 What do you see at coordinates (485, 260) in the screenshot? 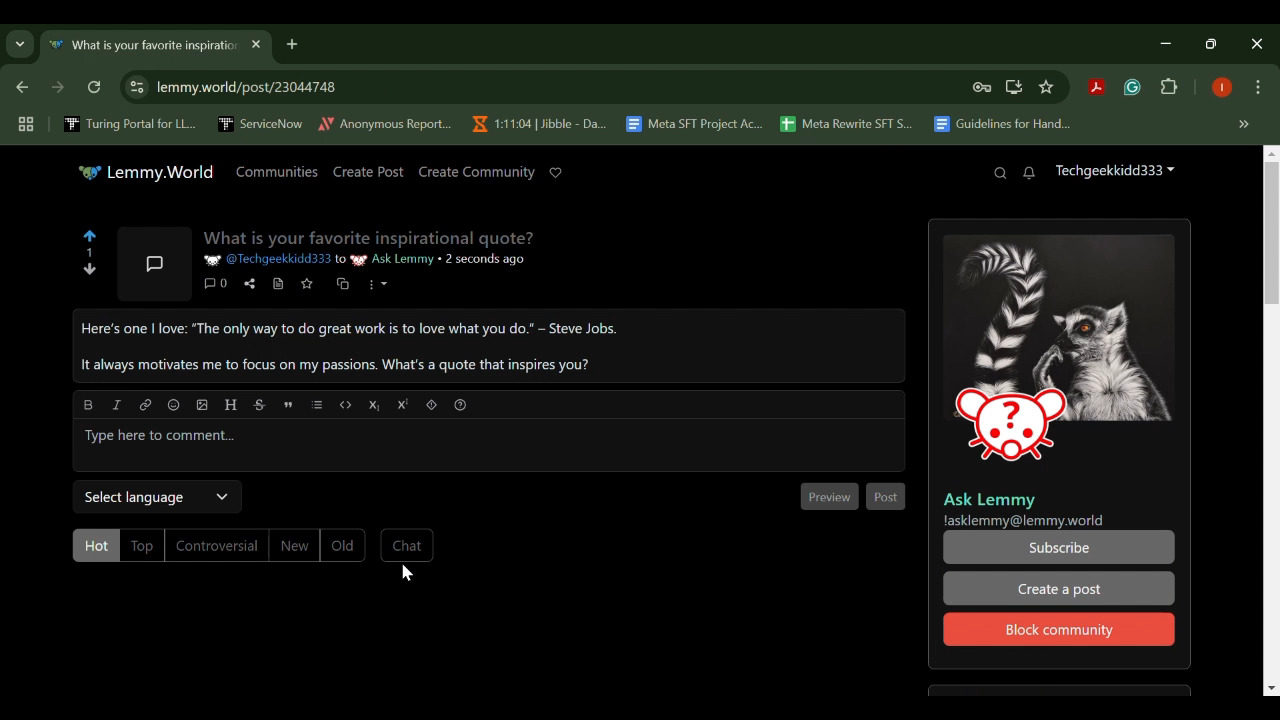
I see `2 seconds ago` at bounding box center [485, 260].